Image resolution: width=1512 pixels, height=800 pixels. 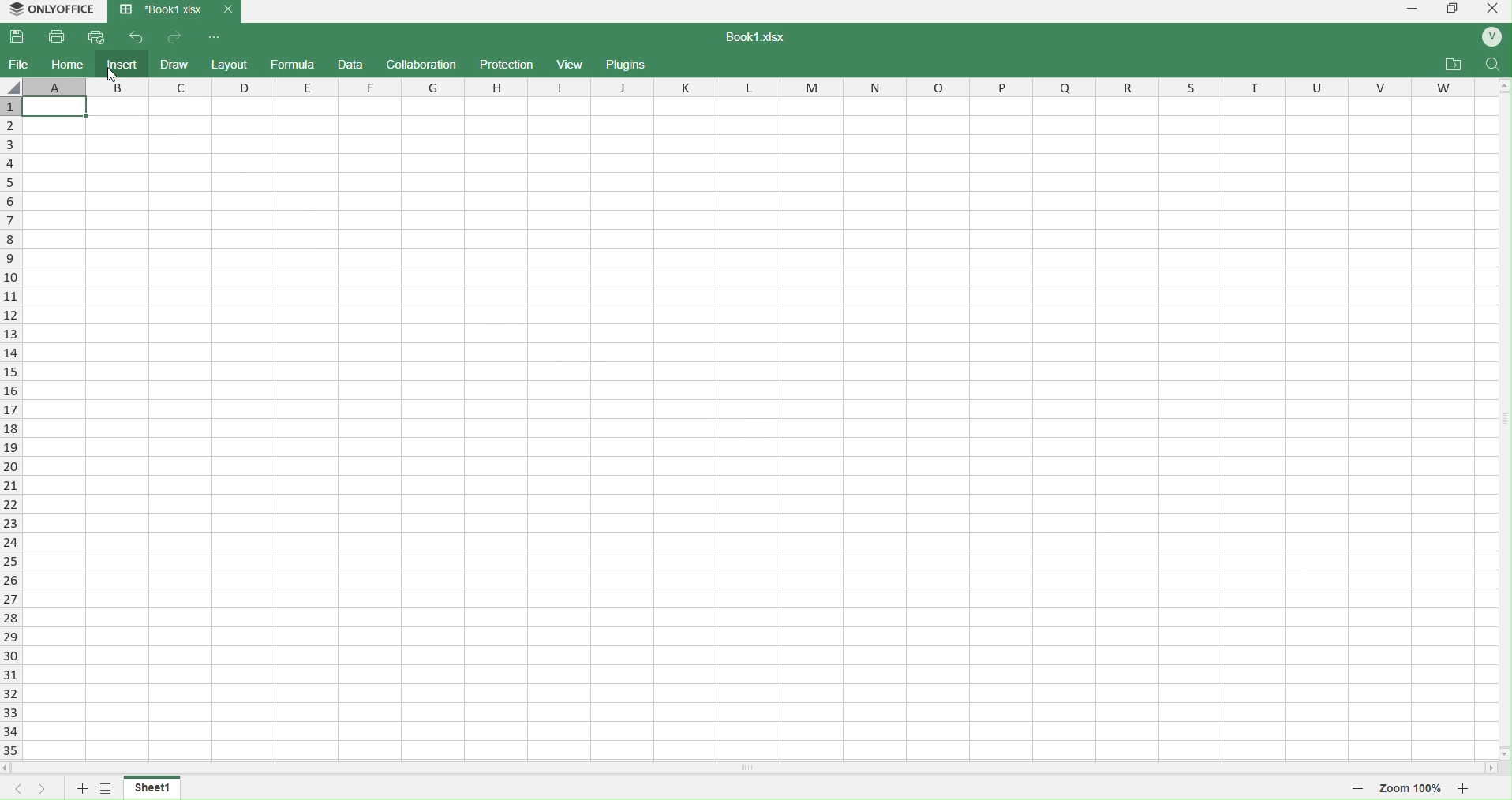 I want to click on view, so click(x=571, y=65).